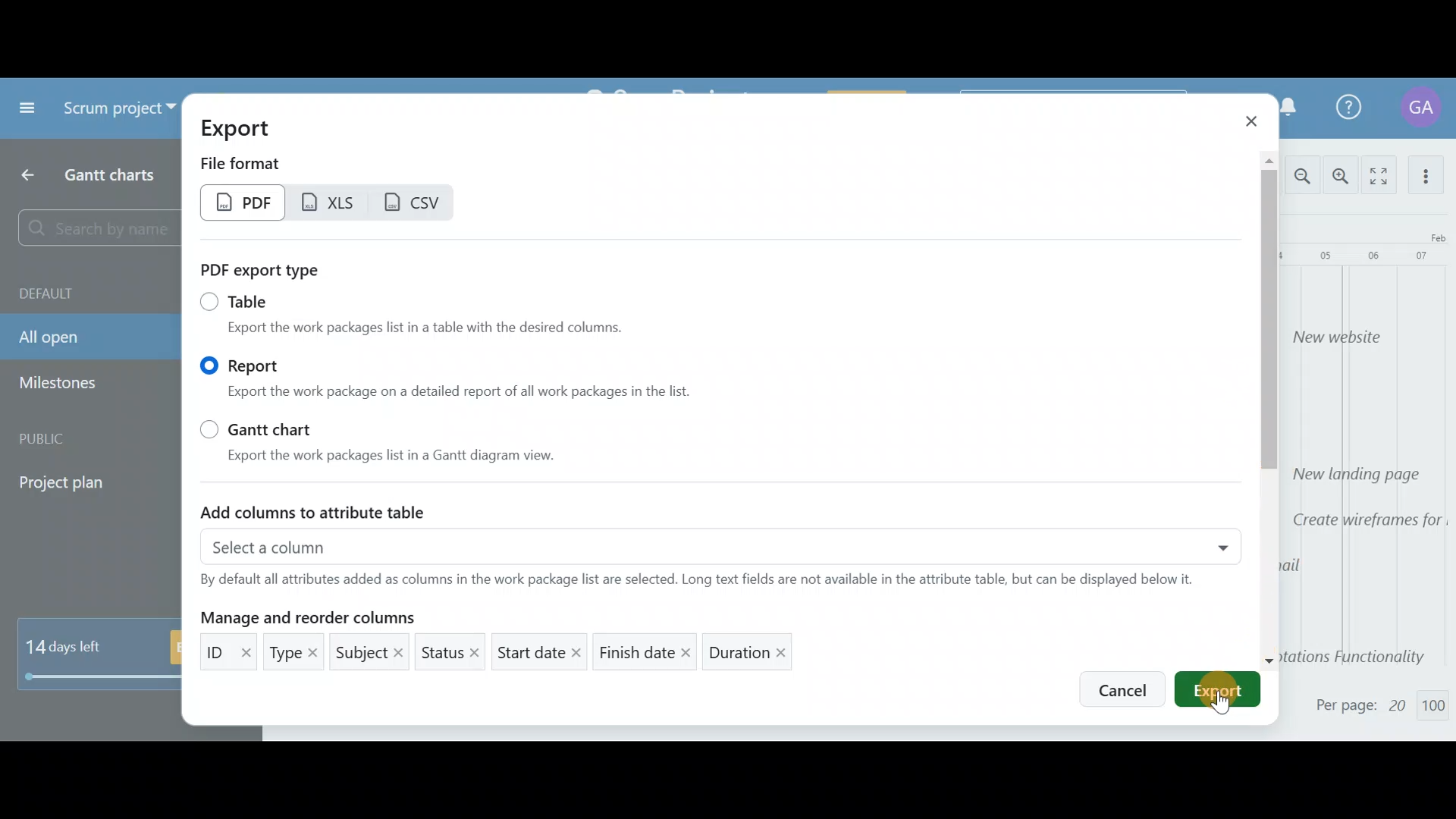 This screenshot has width=1456, height=819. What do you see at coordinates (1429, 174) in the screenshot?
I see `More actions` at bounding box center [1429, 174].